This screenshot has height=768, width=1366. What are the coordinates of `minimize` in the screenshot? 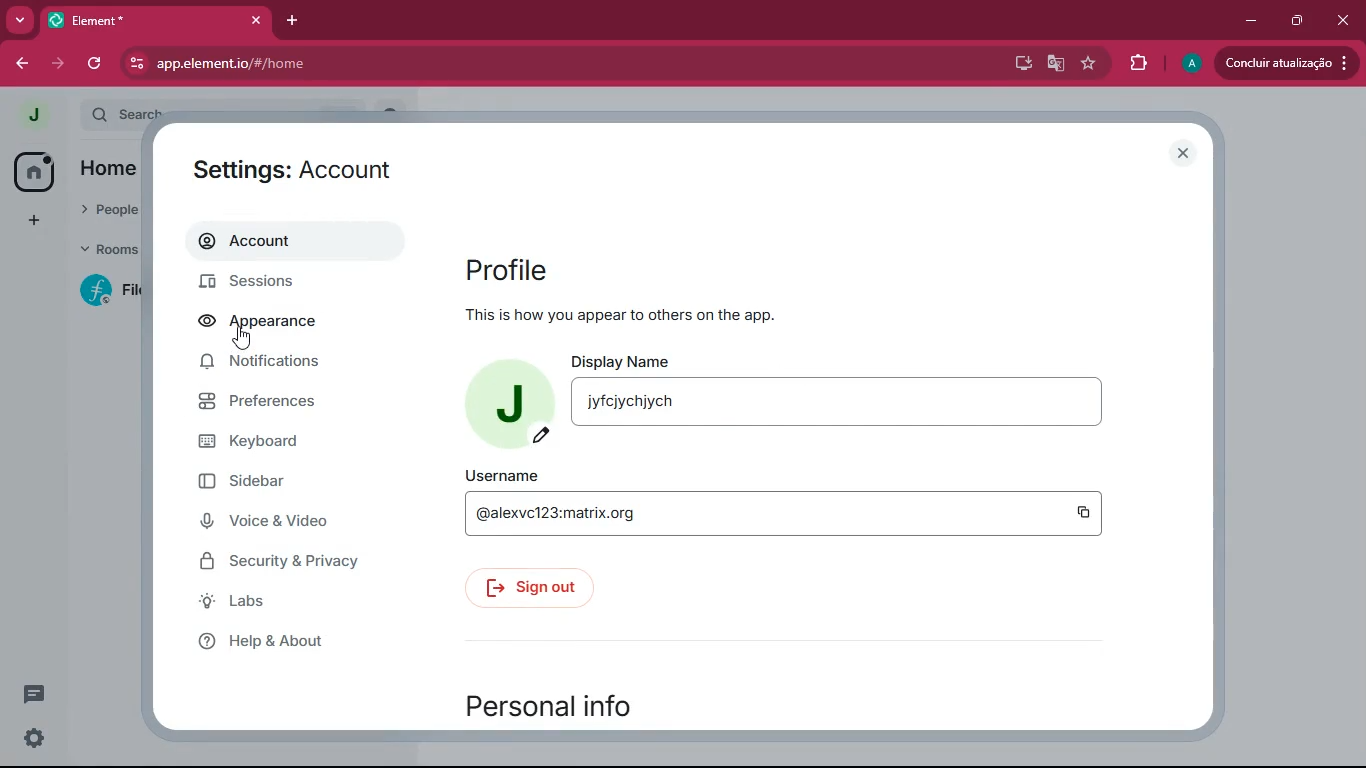 It's located at (1251, 21).